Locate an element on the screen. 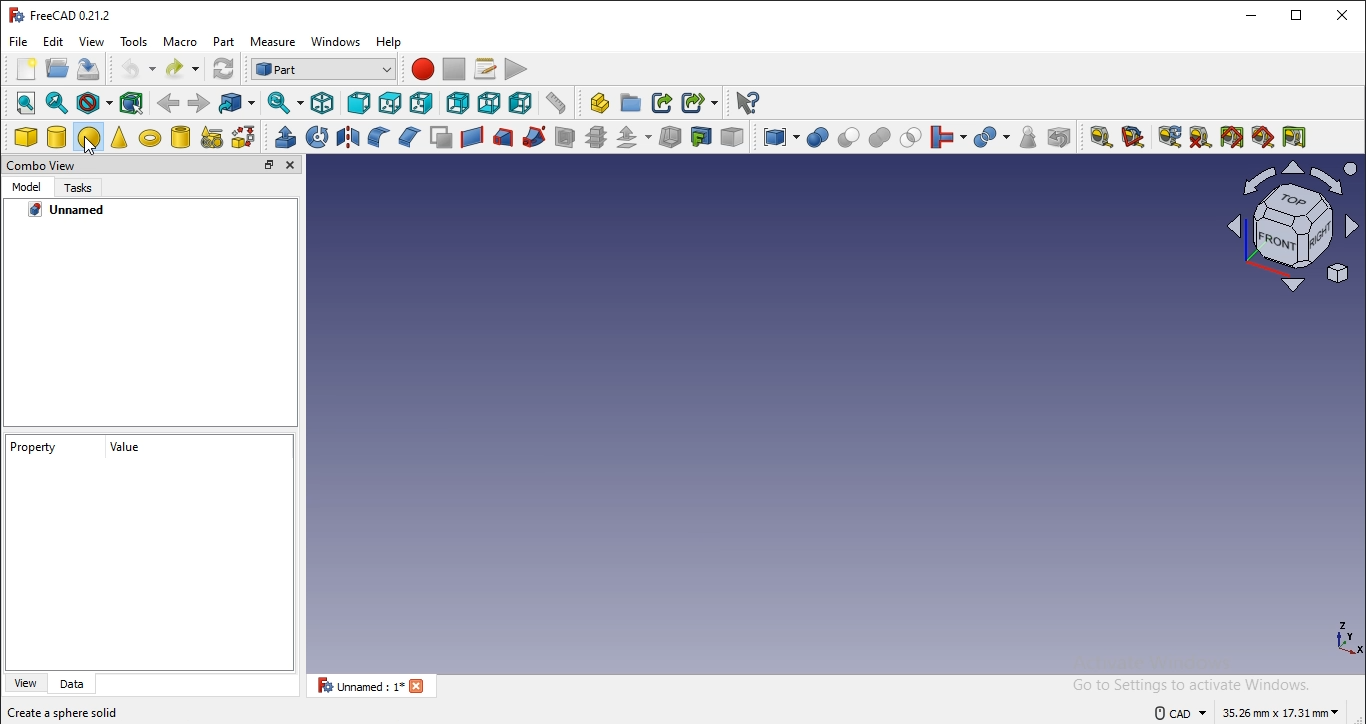 The image size is (1366, 724). close is located at coordinates (291, 166).